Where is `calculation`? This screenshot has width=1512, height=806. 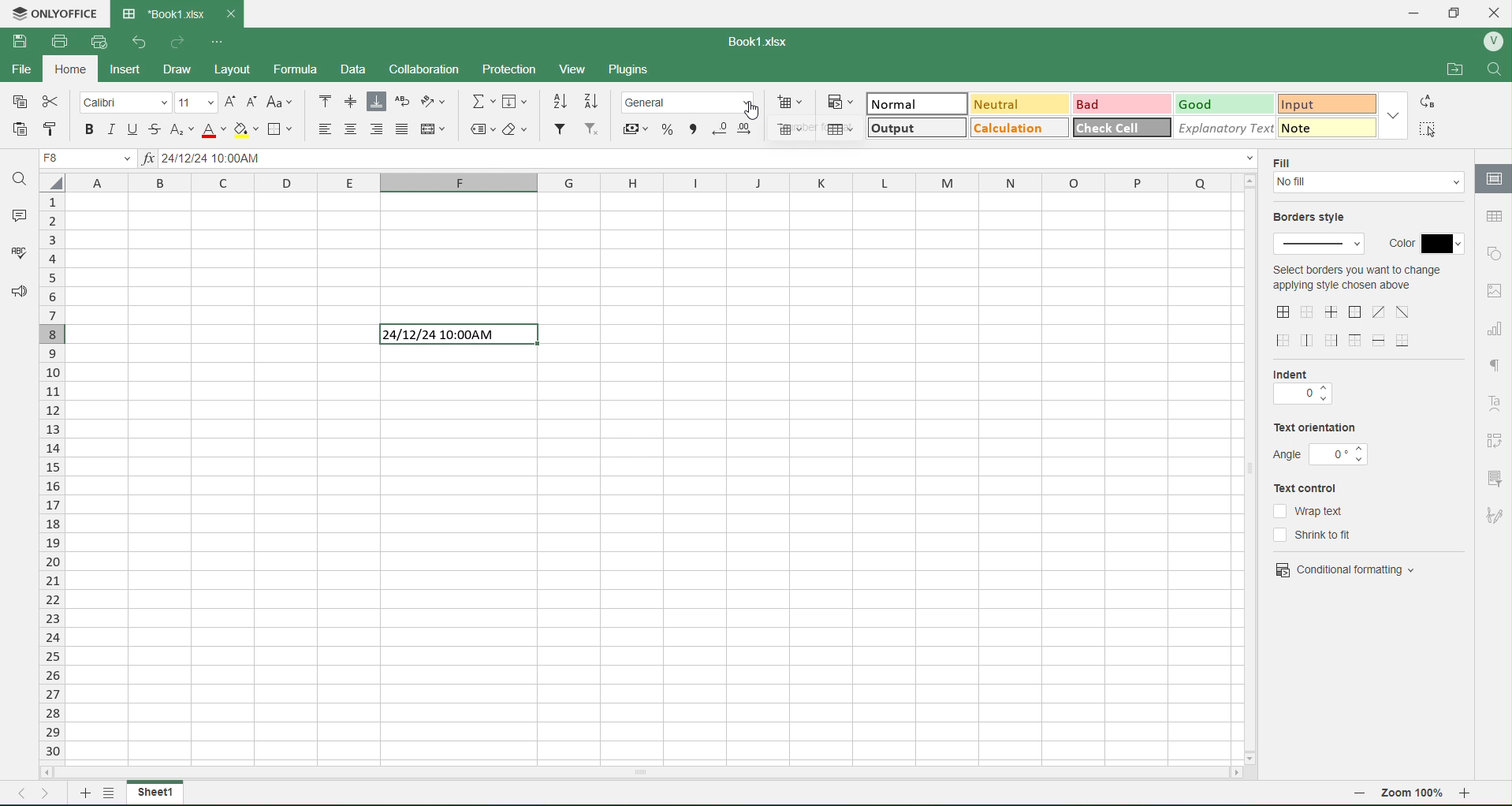
calculation is located at coordinates (1009, 131).